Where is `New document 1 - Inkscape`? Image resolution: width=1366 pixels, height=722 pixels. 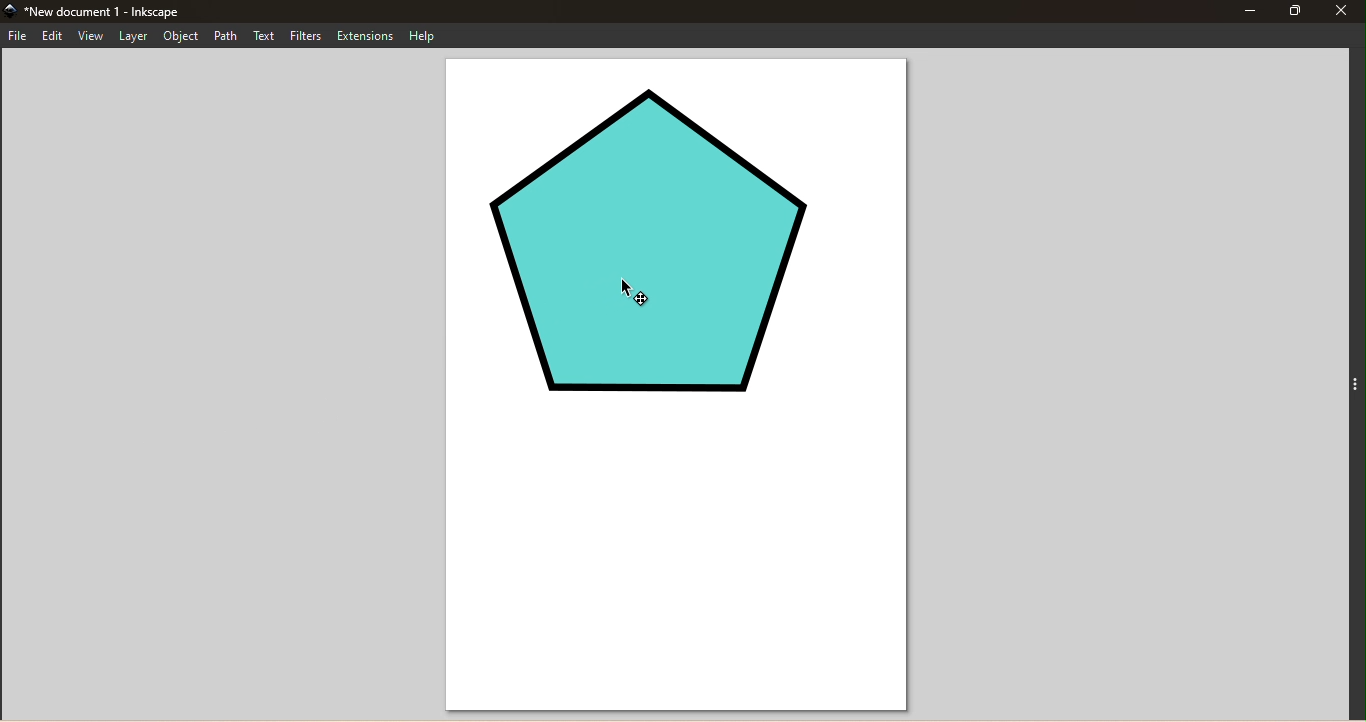 New document 1 - Inkscape is located at coordinates (109, 11).